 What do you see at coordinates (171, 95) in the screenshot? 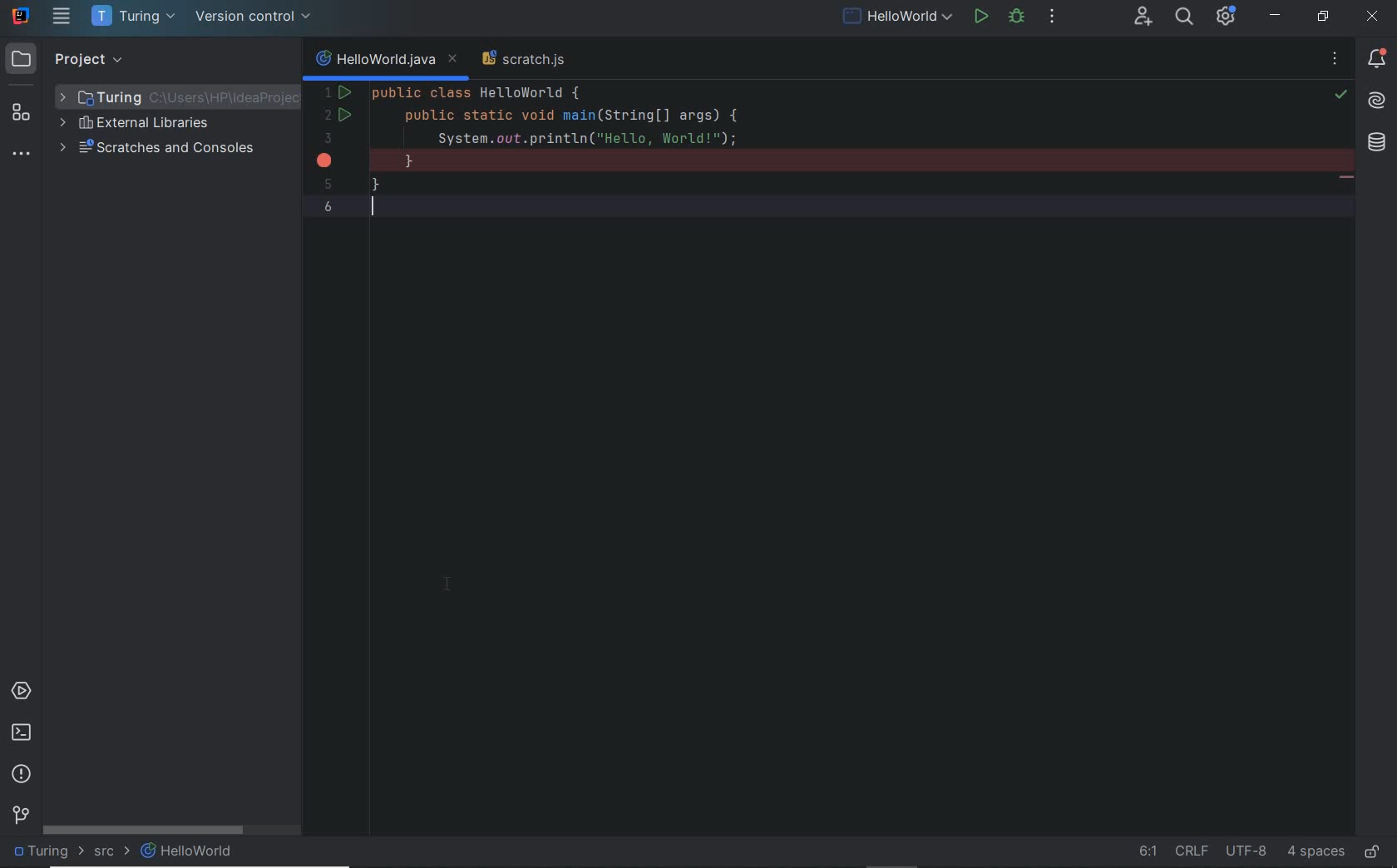
I see `project folder` at bounding box center [171, 95].